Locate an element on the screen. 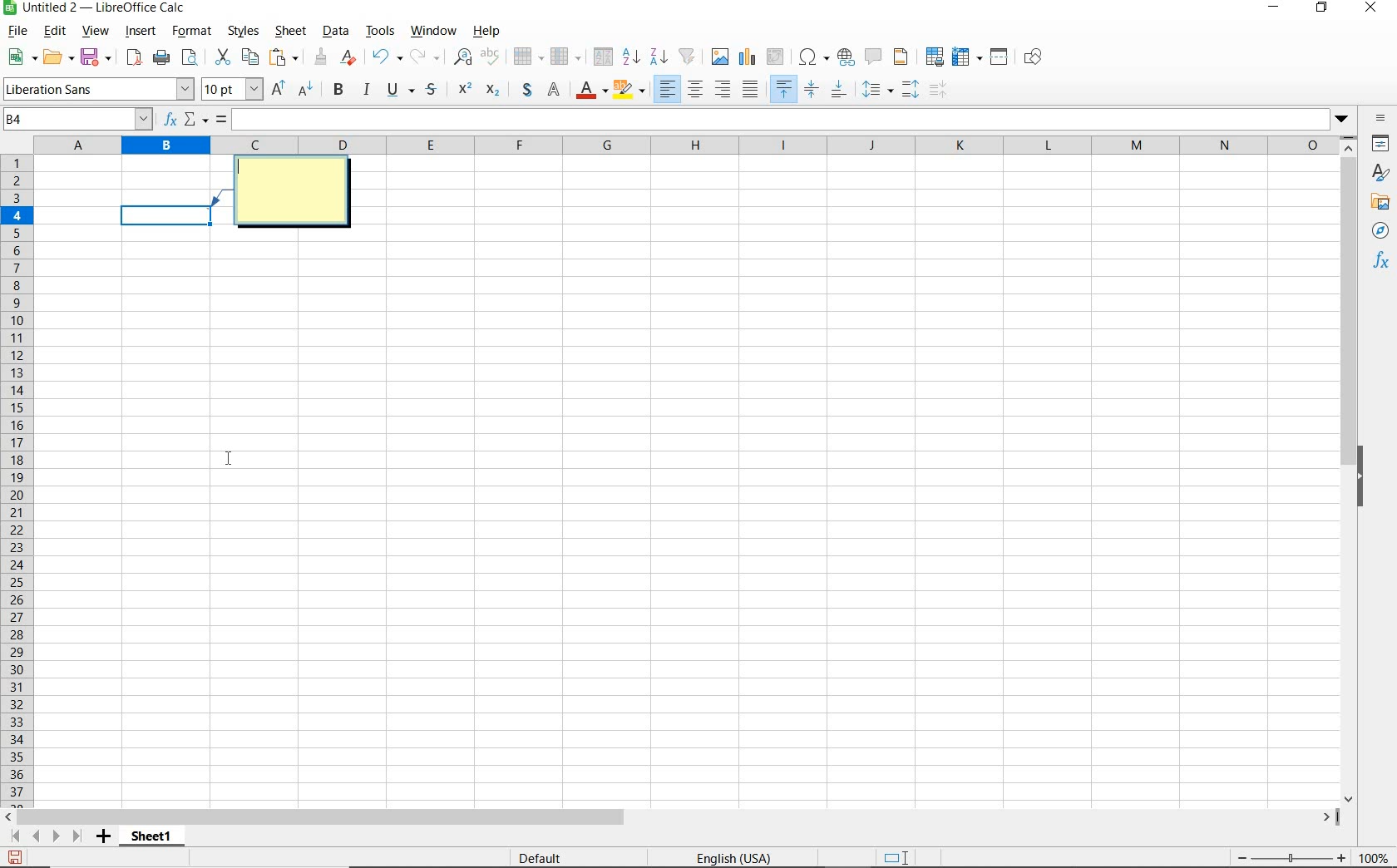  print is located at coordinates (162, 57).